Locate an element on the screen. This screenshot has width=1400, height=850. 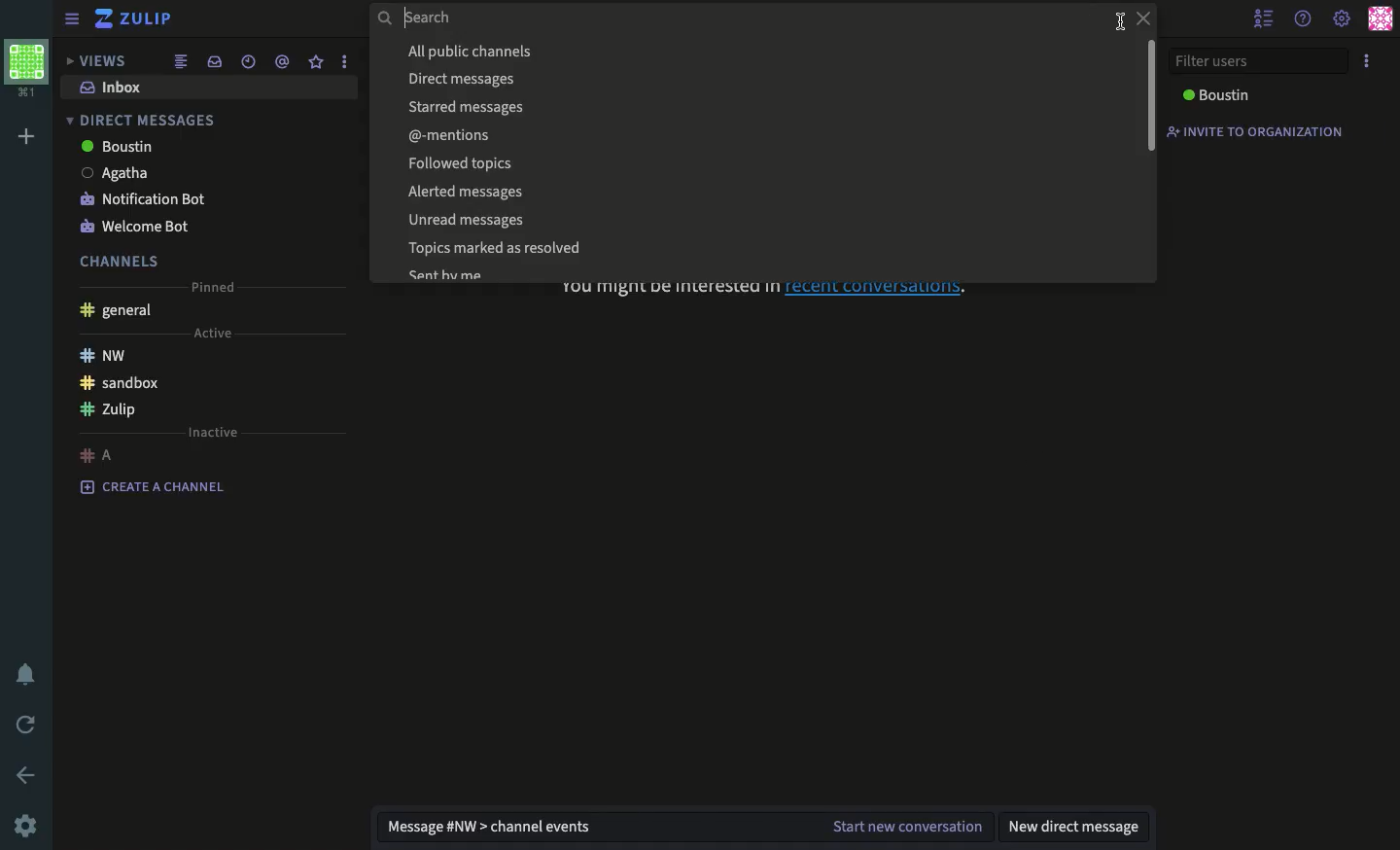
general is located at coordinates (119, 310).